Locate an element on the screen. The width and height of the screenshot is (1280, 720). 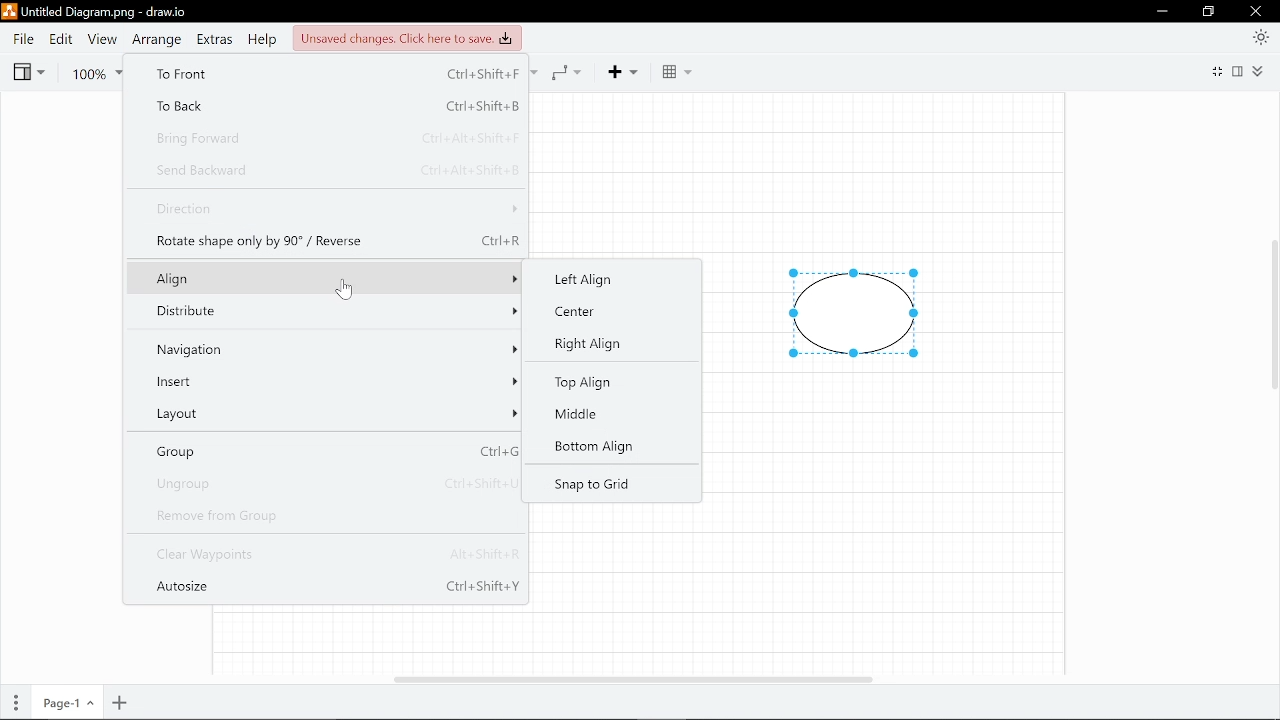
Align is located at coordinates (331, 278).